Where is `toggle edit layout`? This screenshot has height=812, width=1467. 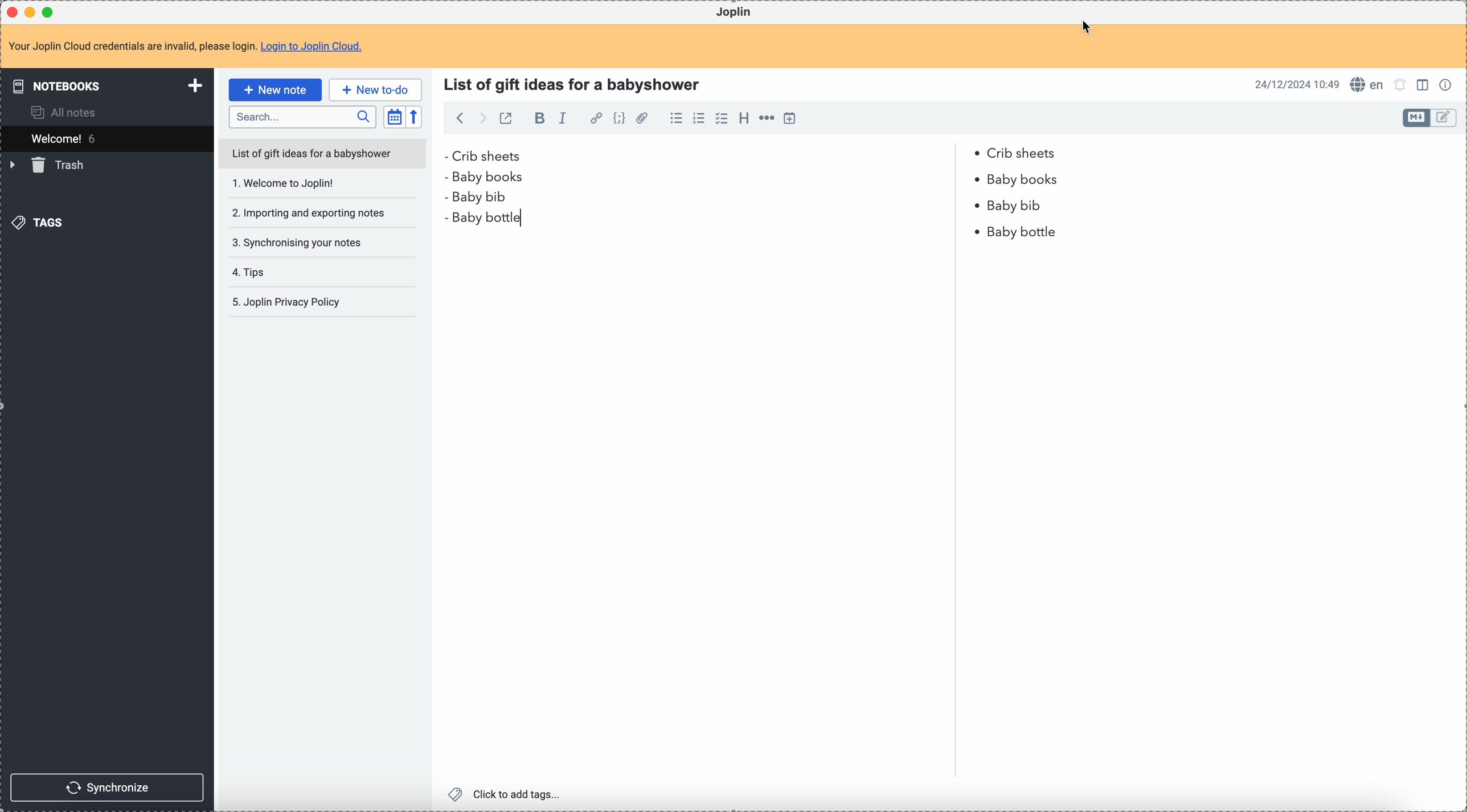 toggle edit layout is located at coordinates (1416, 118).